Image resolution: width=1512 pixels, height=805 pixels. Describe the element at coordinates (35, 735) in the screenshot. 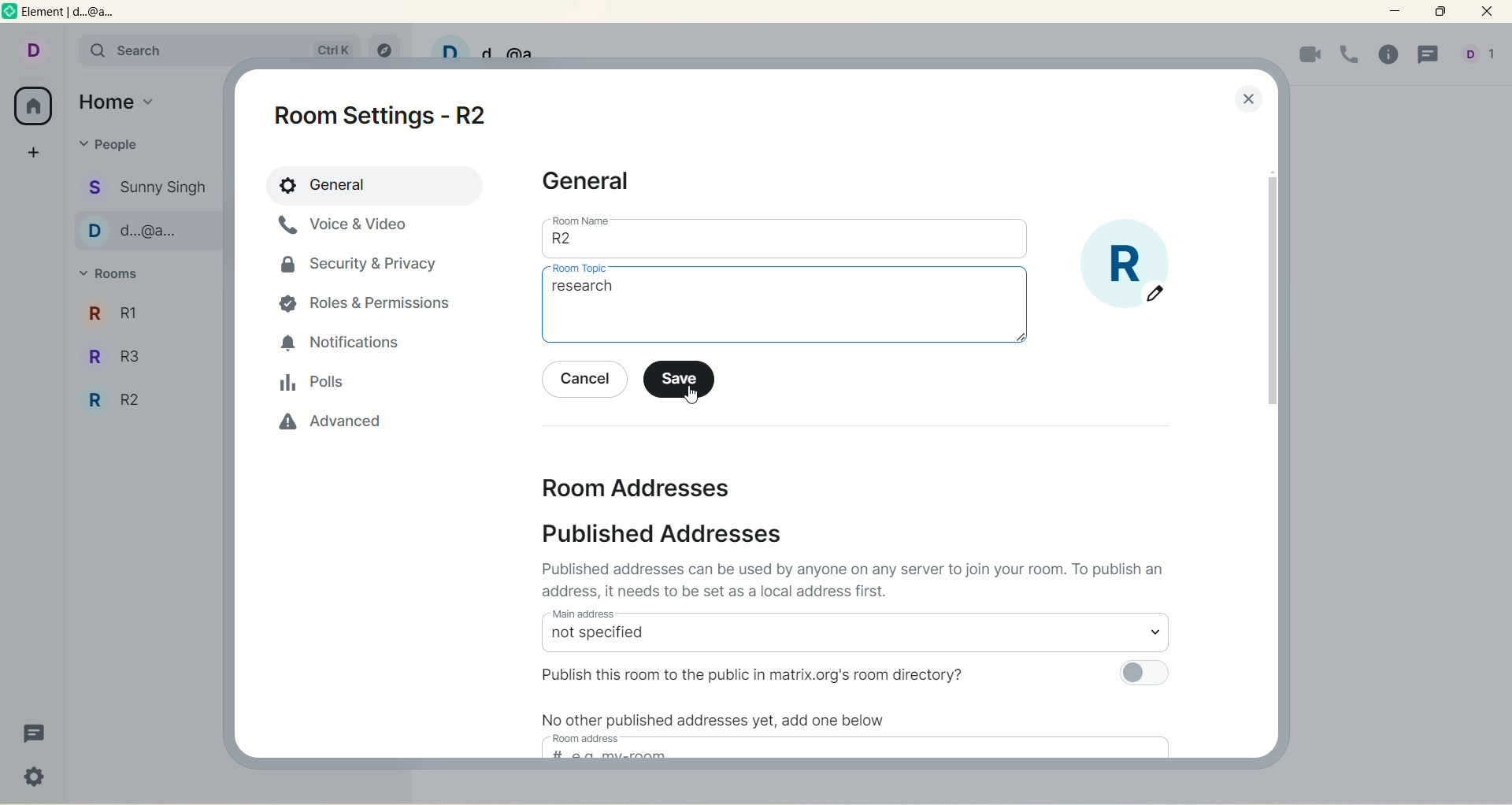

I see `threads` at that location.